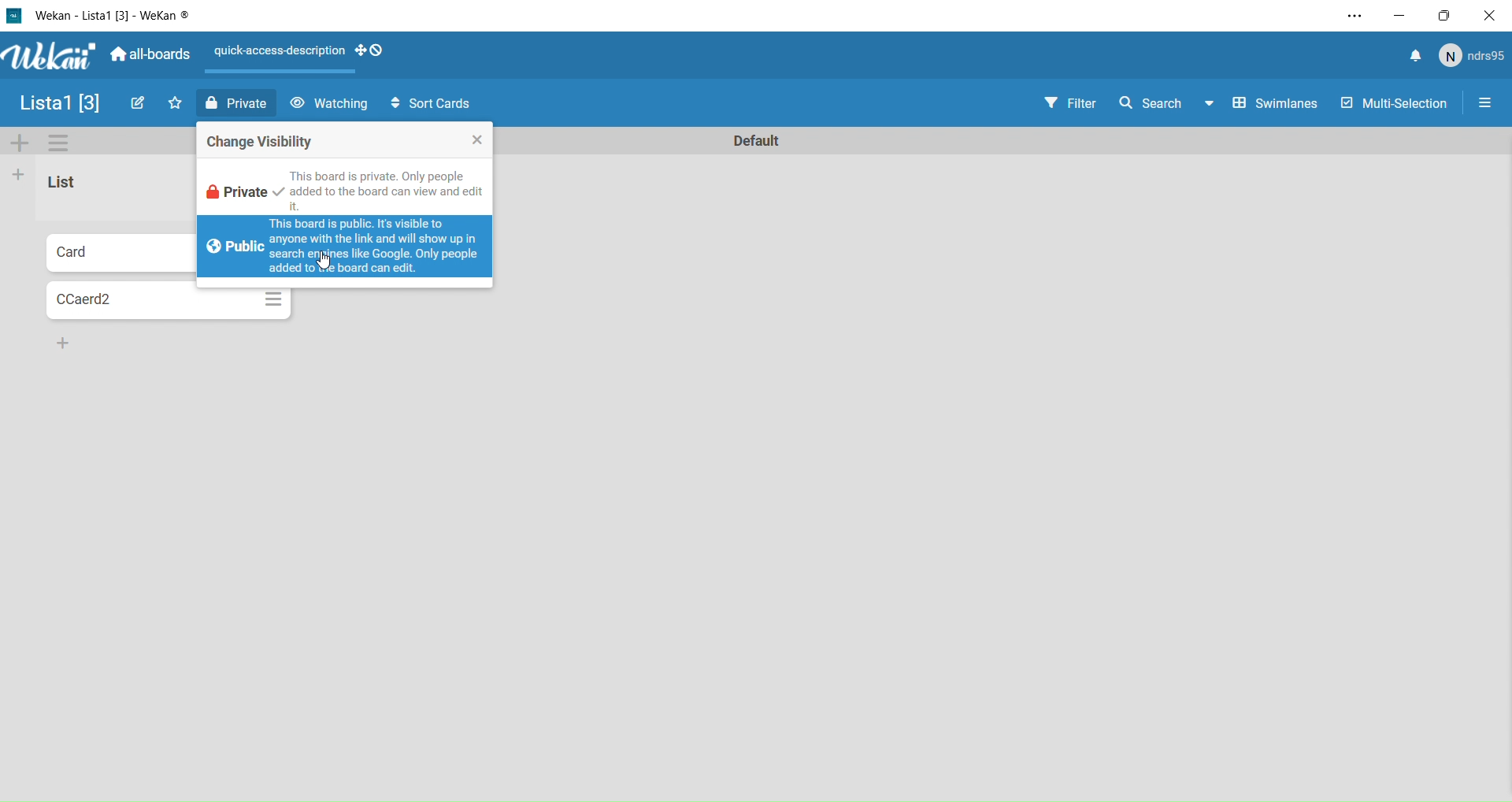 This screenshot has height=802, width=1512. I want to click on Wekan , so click(100, 14).